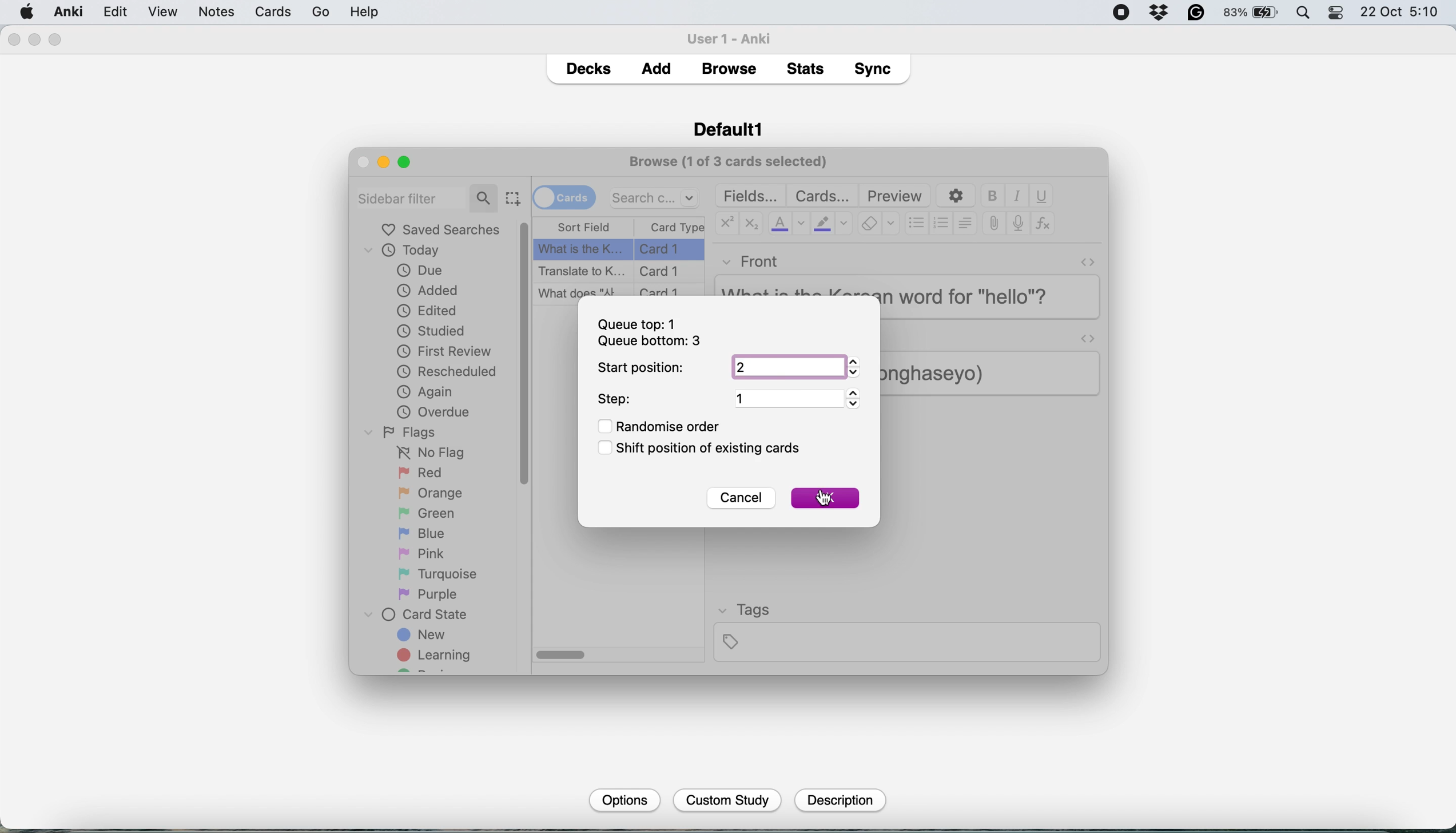 Image resolution: width=1456 pixels, height=833 pixels. Describe the element at coordinates (588, 66) in the screenshot. I see `Decks` at that location.